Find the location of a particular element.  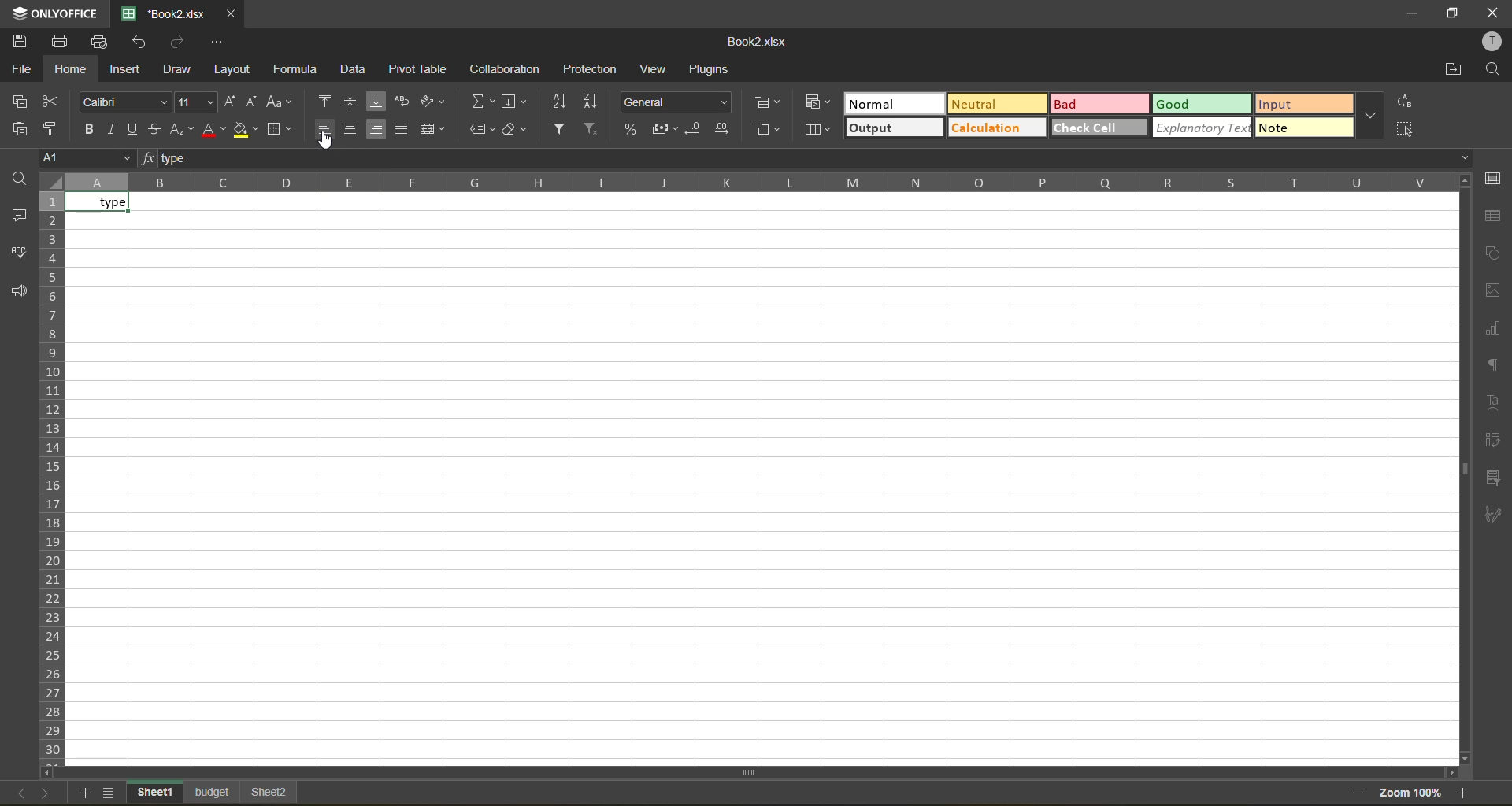

save is located at coordinates (18, 43).